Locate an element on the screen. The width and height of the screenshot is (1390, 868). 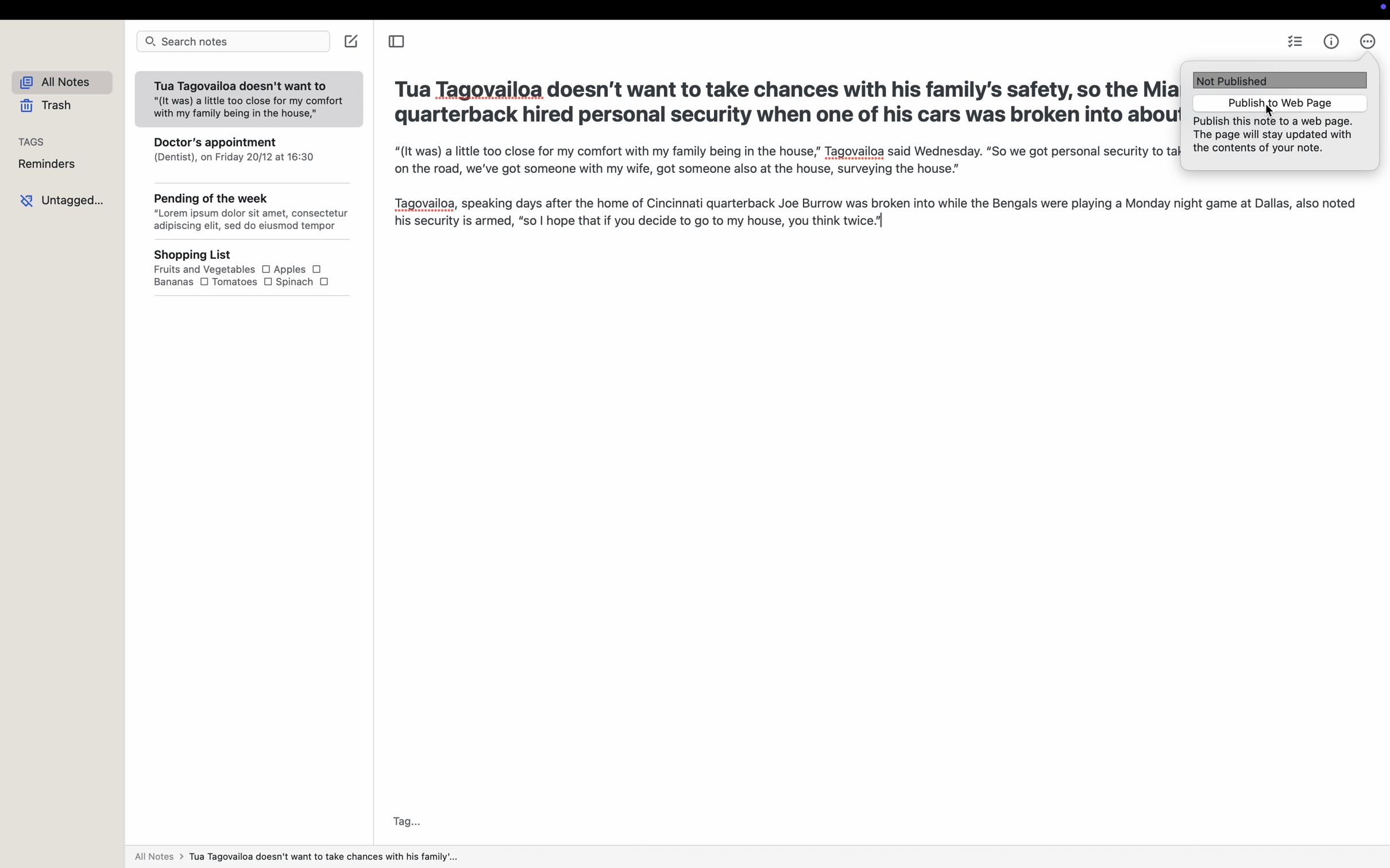
cursor is located at coordinates (1267, 113).